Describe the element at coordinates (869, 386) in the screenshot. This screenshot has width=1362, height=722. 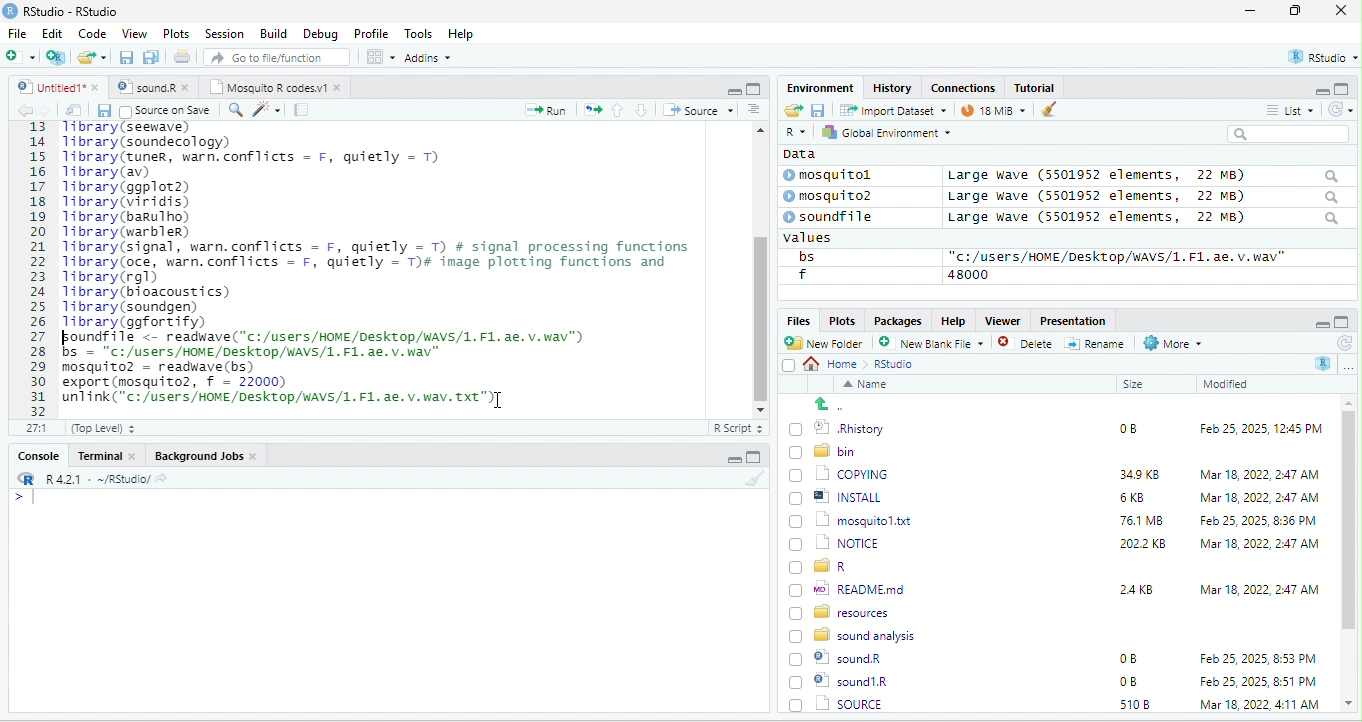
I see ` Name` at that location.